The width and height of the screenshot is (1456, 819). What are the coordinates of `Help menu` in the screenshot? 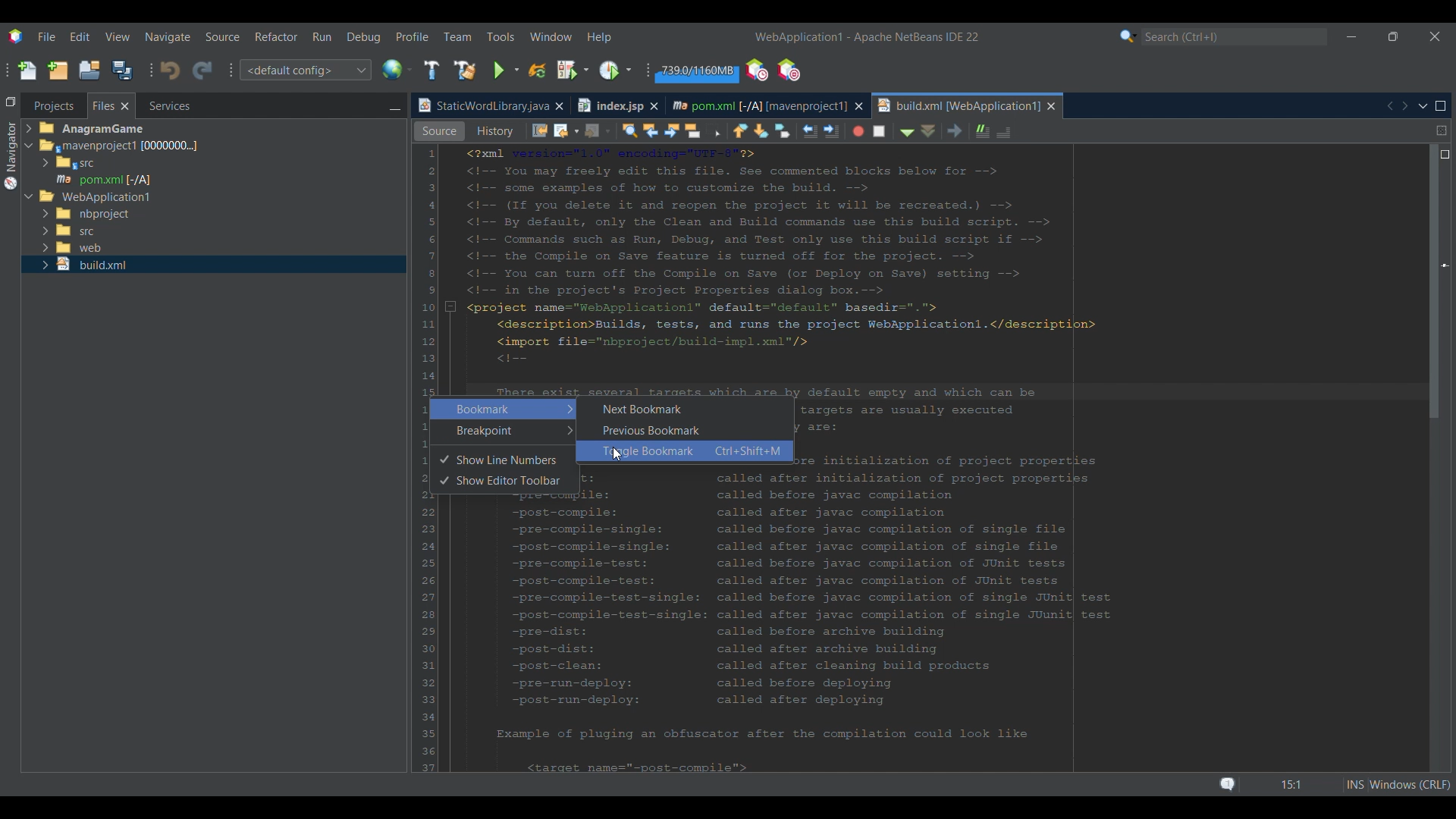 It's located at (598, 38).